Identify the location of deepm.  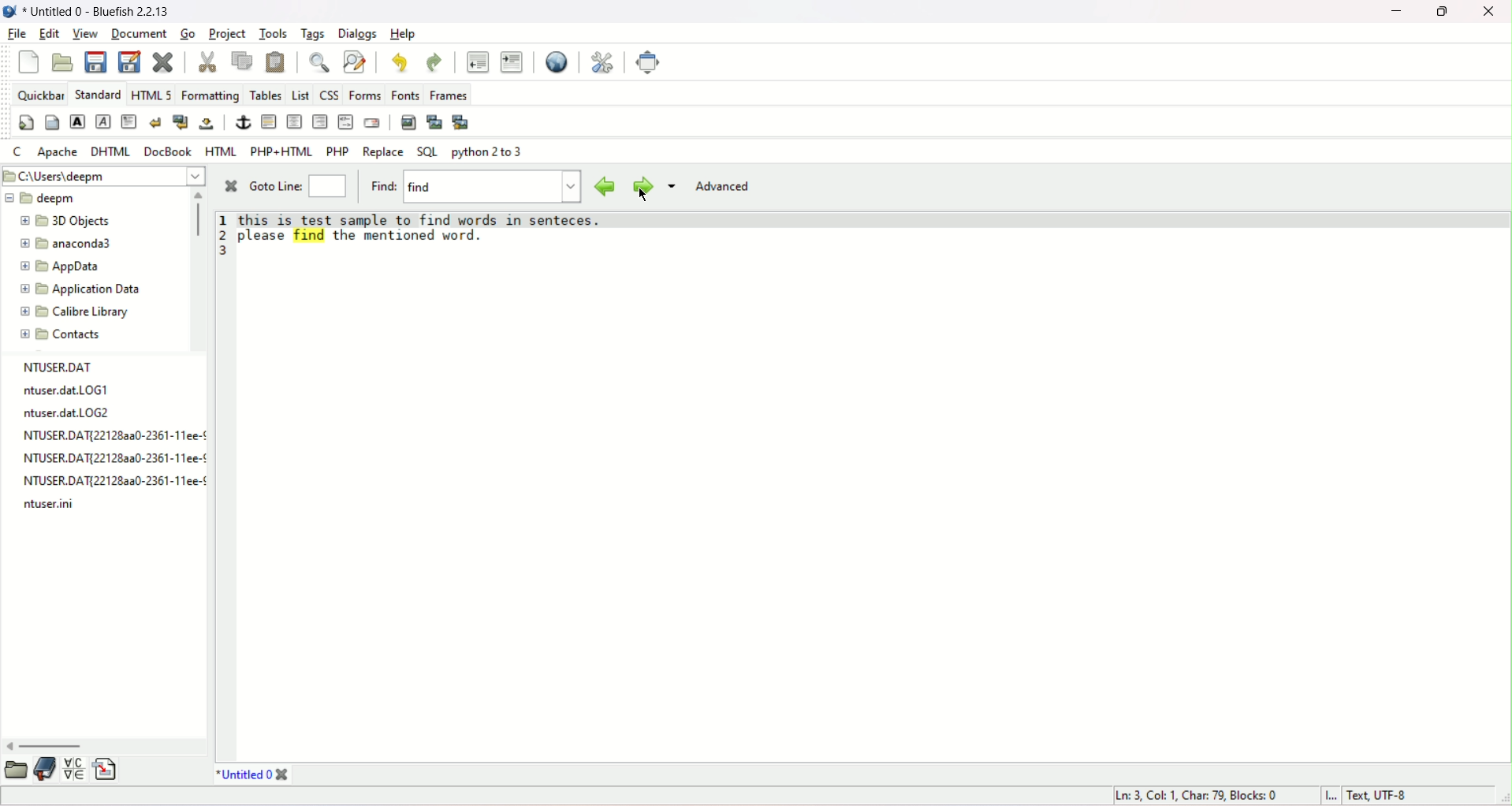
(44, 199).